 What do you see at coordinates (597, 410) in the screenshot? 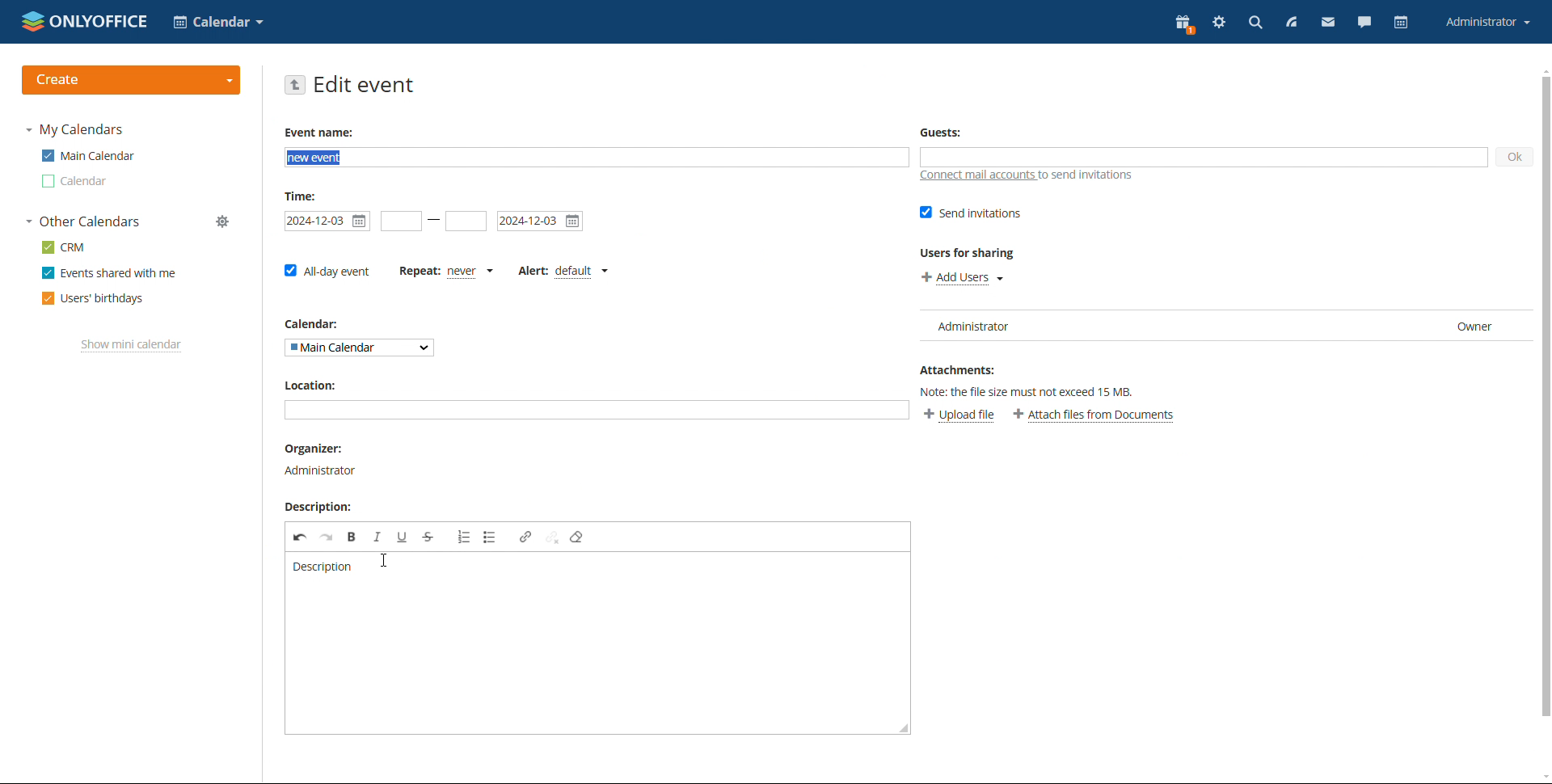
I see `add location` at bounding box center [597, 410].